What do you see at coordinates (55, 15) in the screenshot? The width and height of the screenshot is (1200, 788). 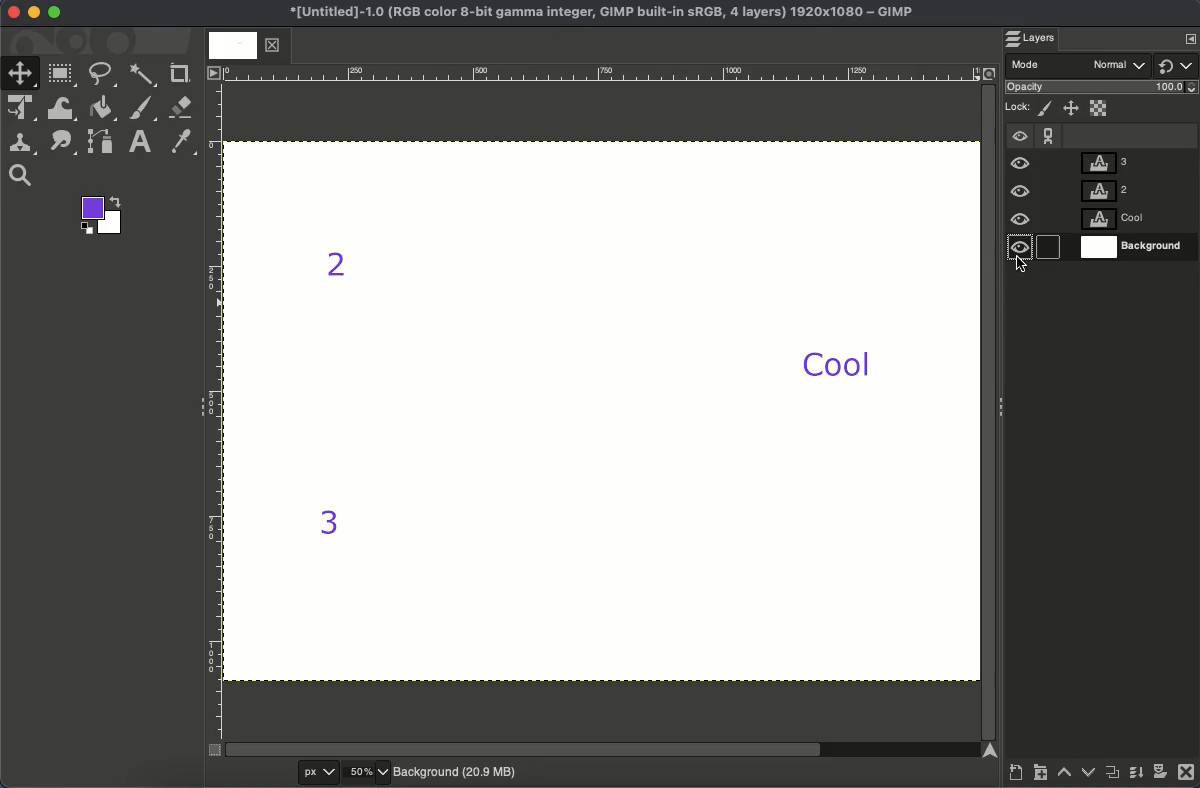 I see `Maximize` at bounding box center [55, 15].